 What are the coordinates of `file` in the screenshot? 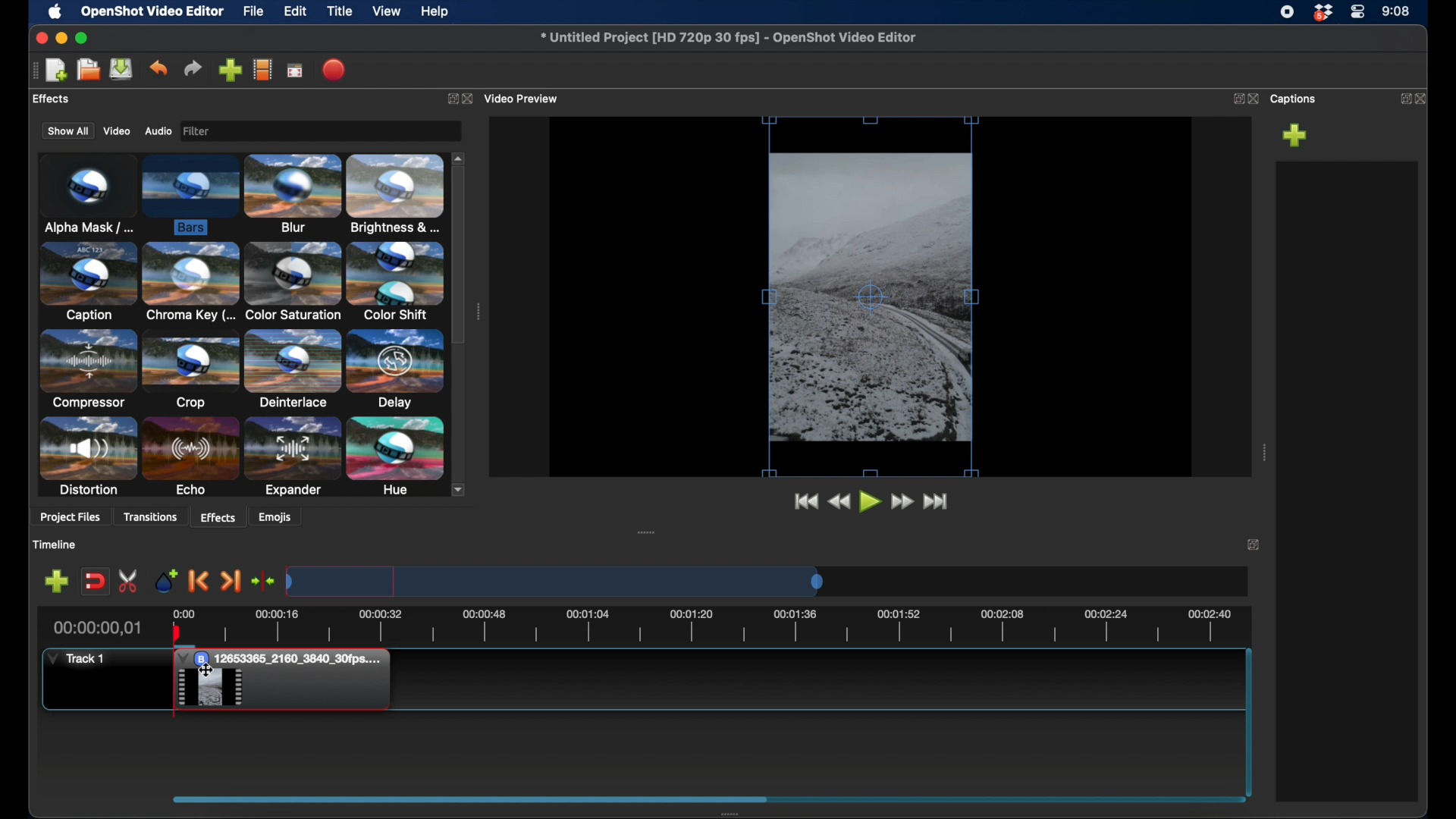 It's located at (254, 12).